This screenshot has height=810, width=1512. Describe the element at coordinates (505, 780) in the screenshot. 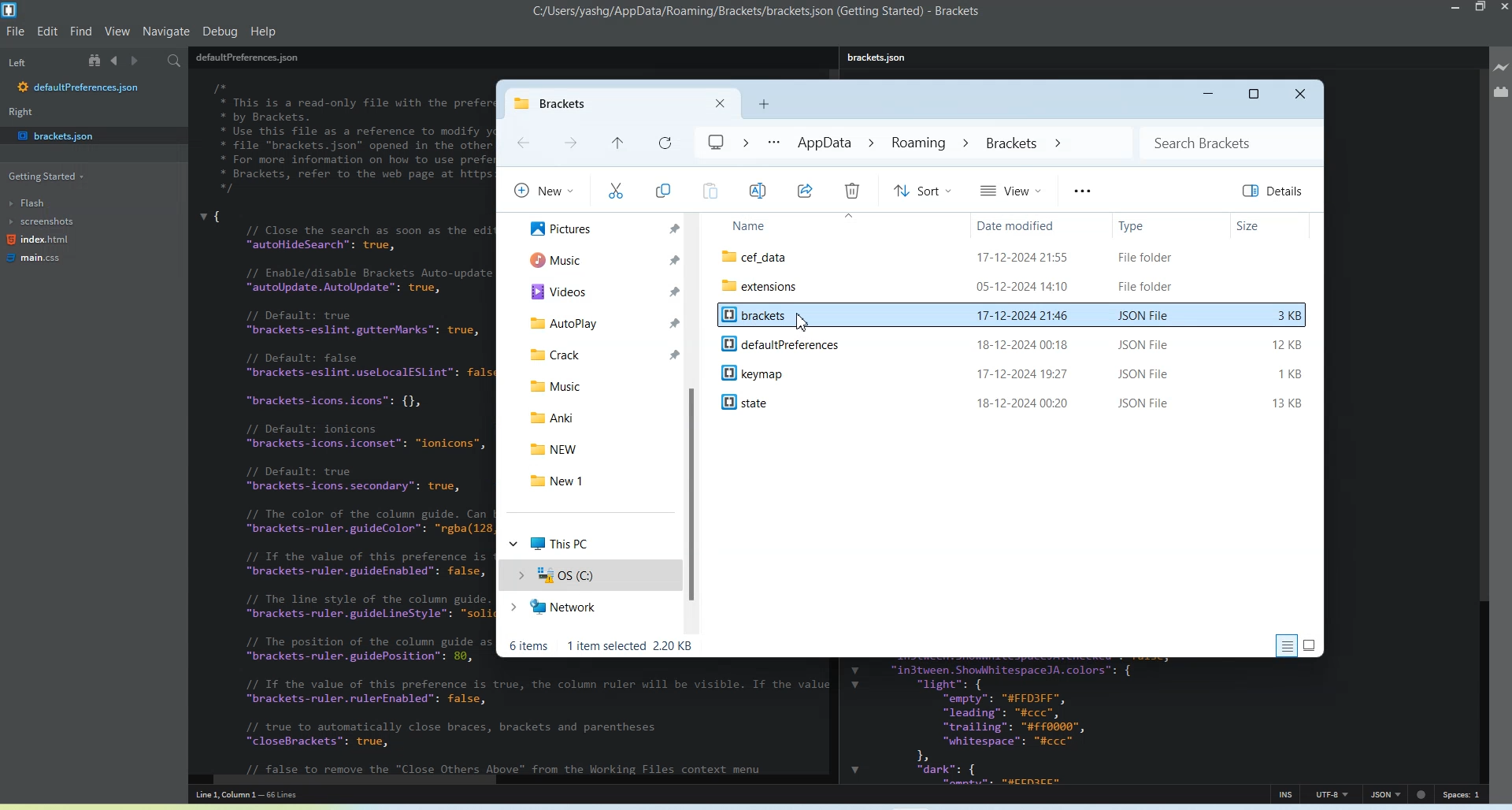

I see `Horizontal Scroll bar` at that location.